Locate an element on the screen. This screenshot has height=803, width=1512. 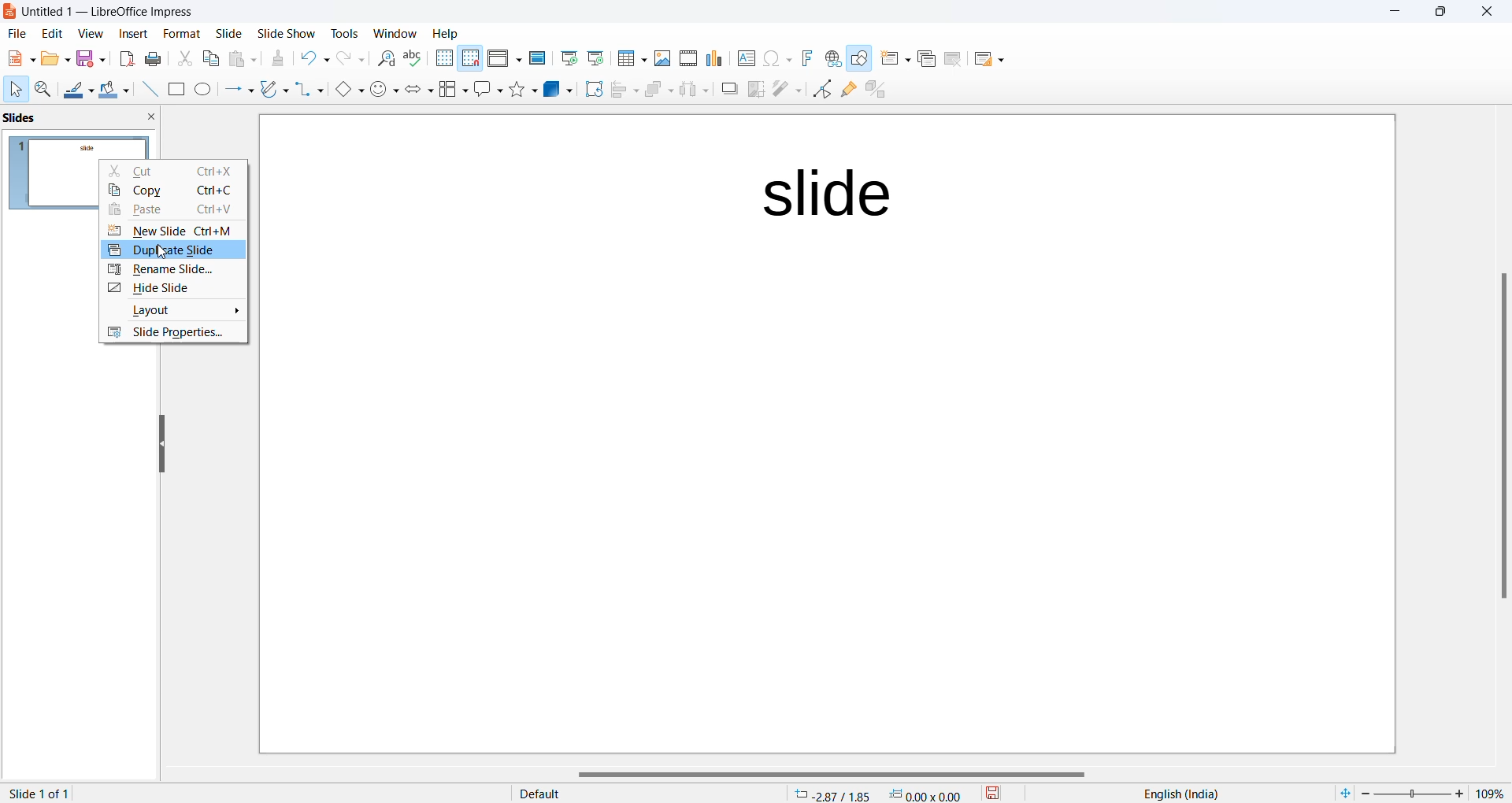
Ellipse is located at coordinates (202, 90).